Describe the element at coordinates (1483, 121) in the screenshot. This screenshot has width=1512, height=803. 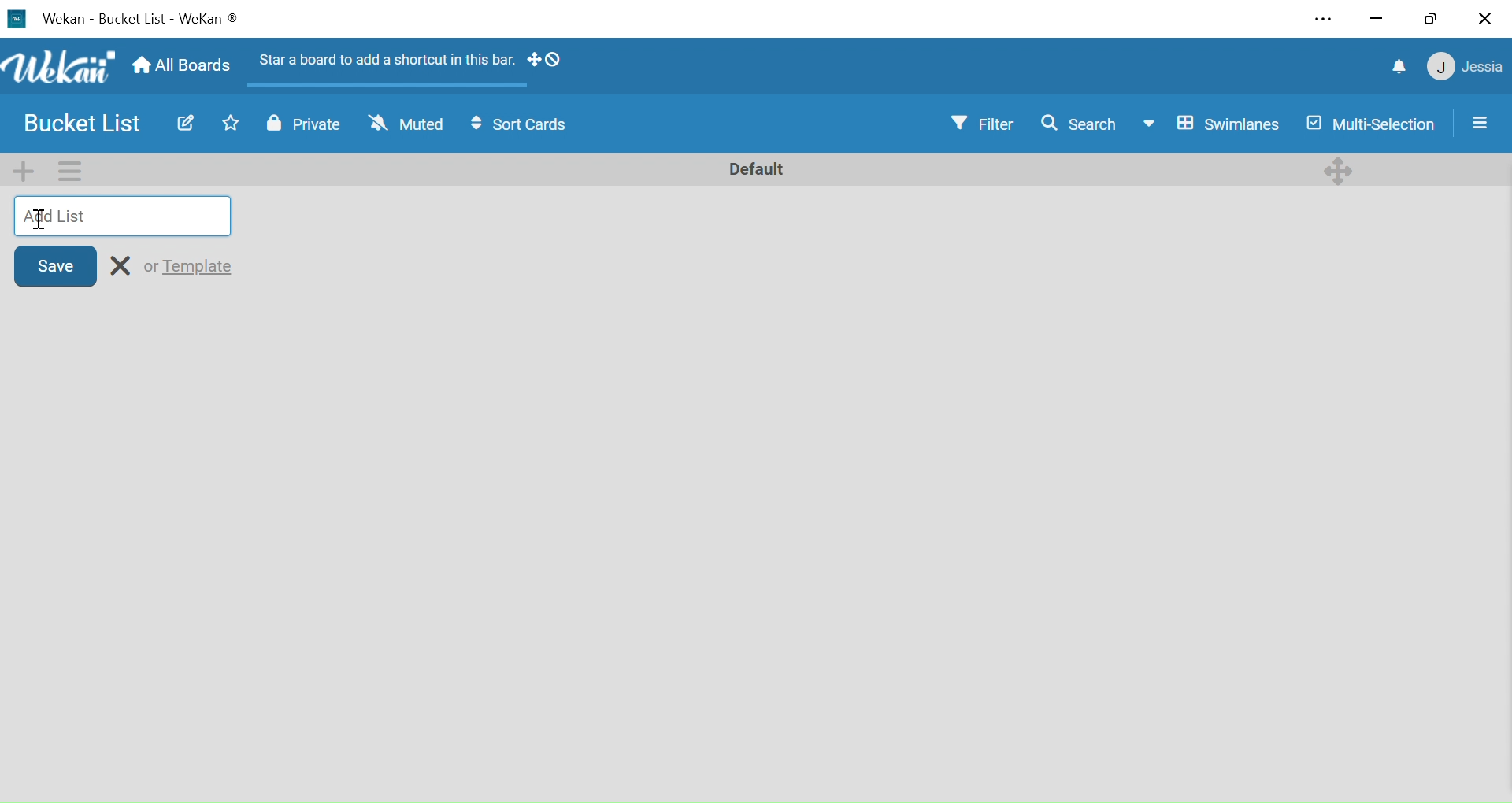
I see `Open/Close Sidebar` at that location.